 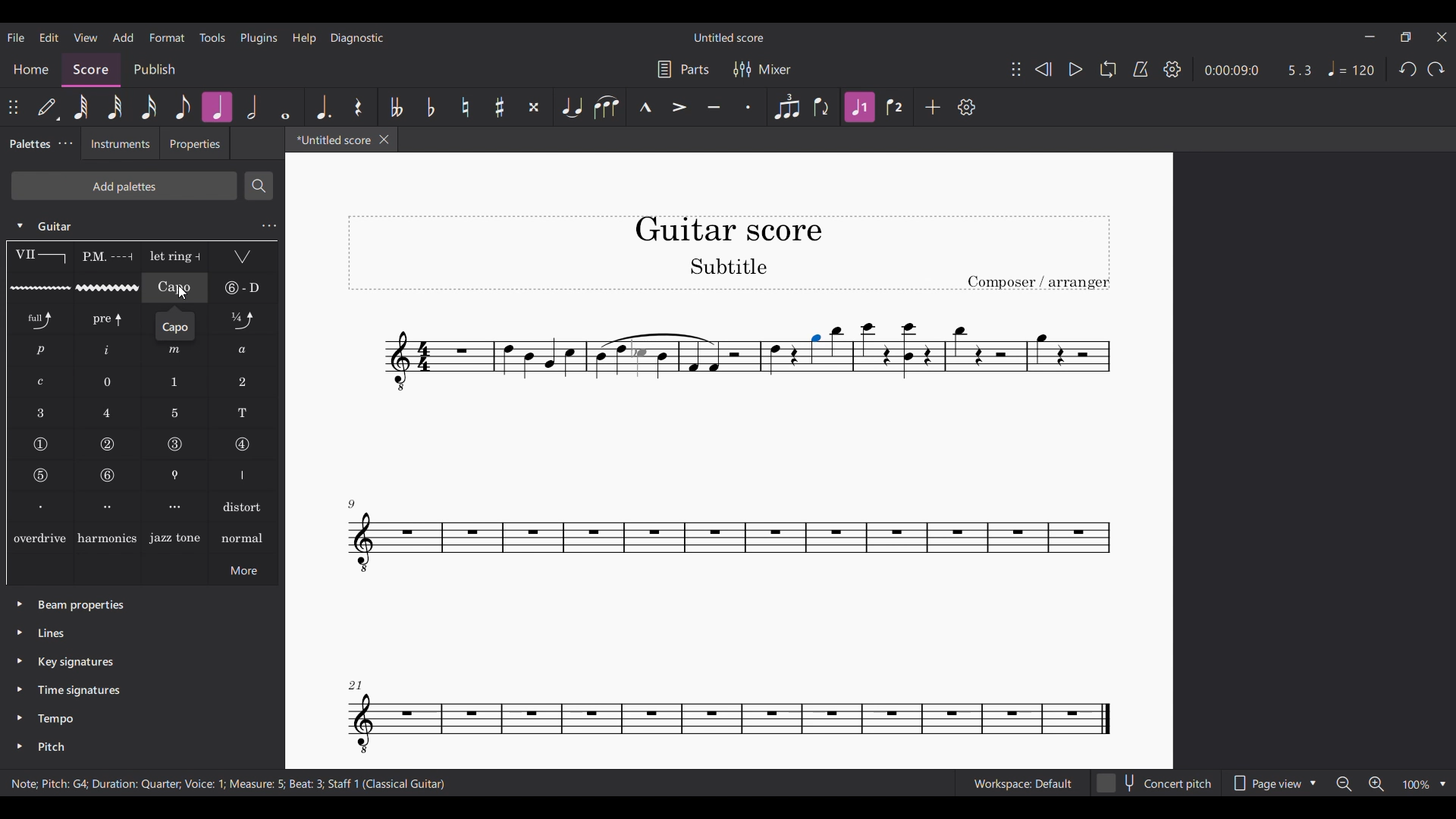 What do you see at coordinates (823, 107) in the screenshot?
I see `Flip direction` at bounding box center [823, 107].